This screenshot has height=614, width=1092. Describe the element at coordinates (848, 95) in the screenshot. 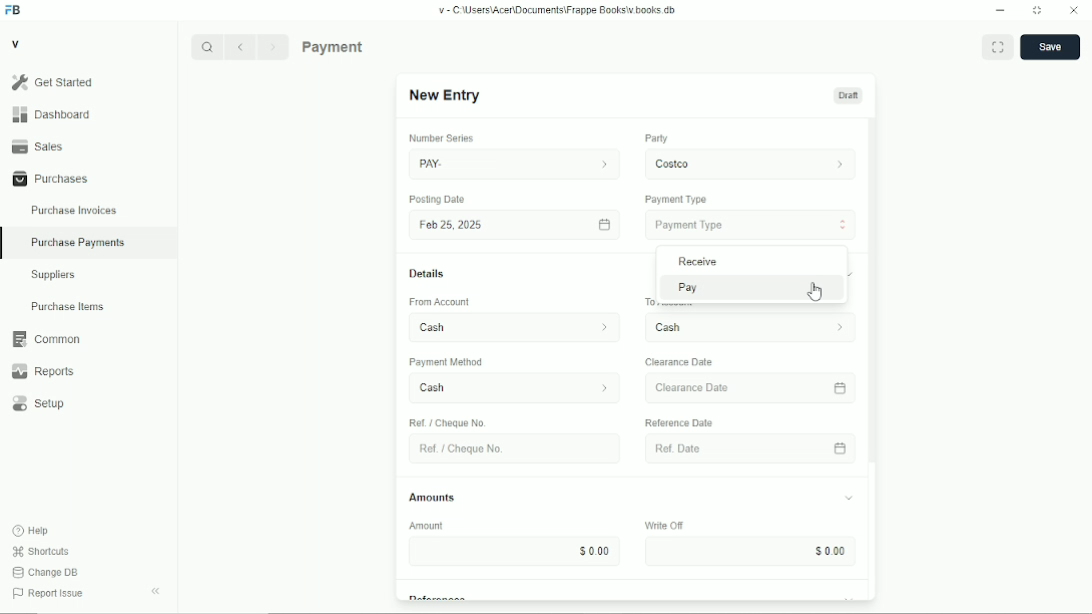

I see `Draft` at that location.